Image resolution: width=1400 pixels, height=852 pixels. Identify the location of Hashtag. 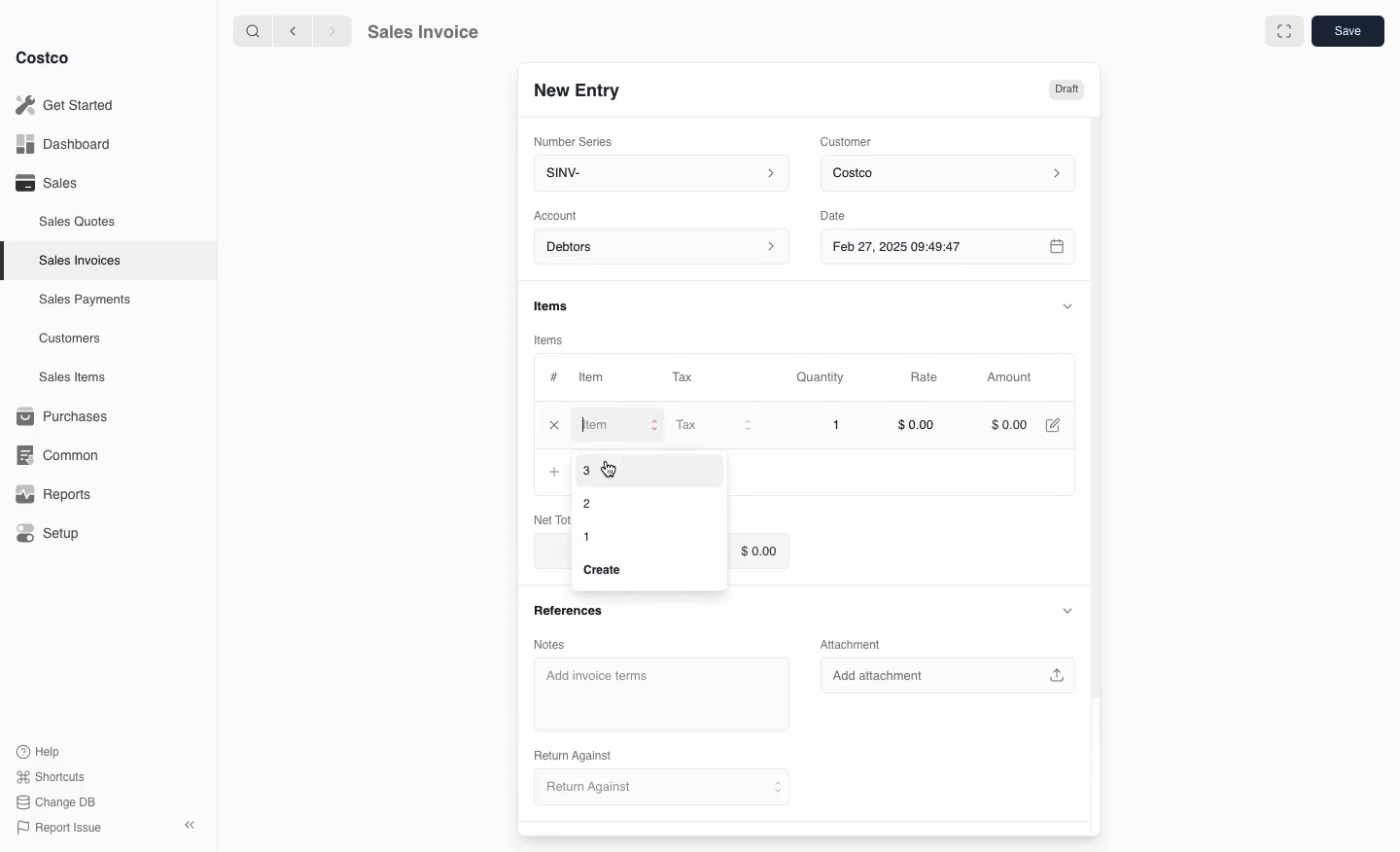
(553, 377).